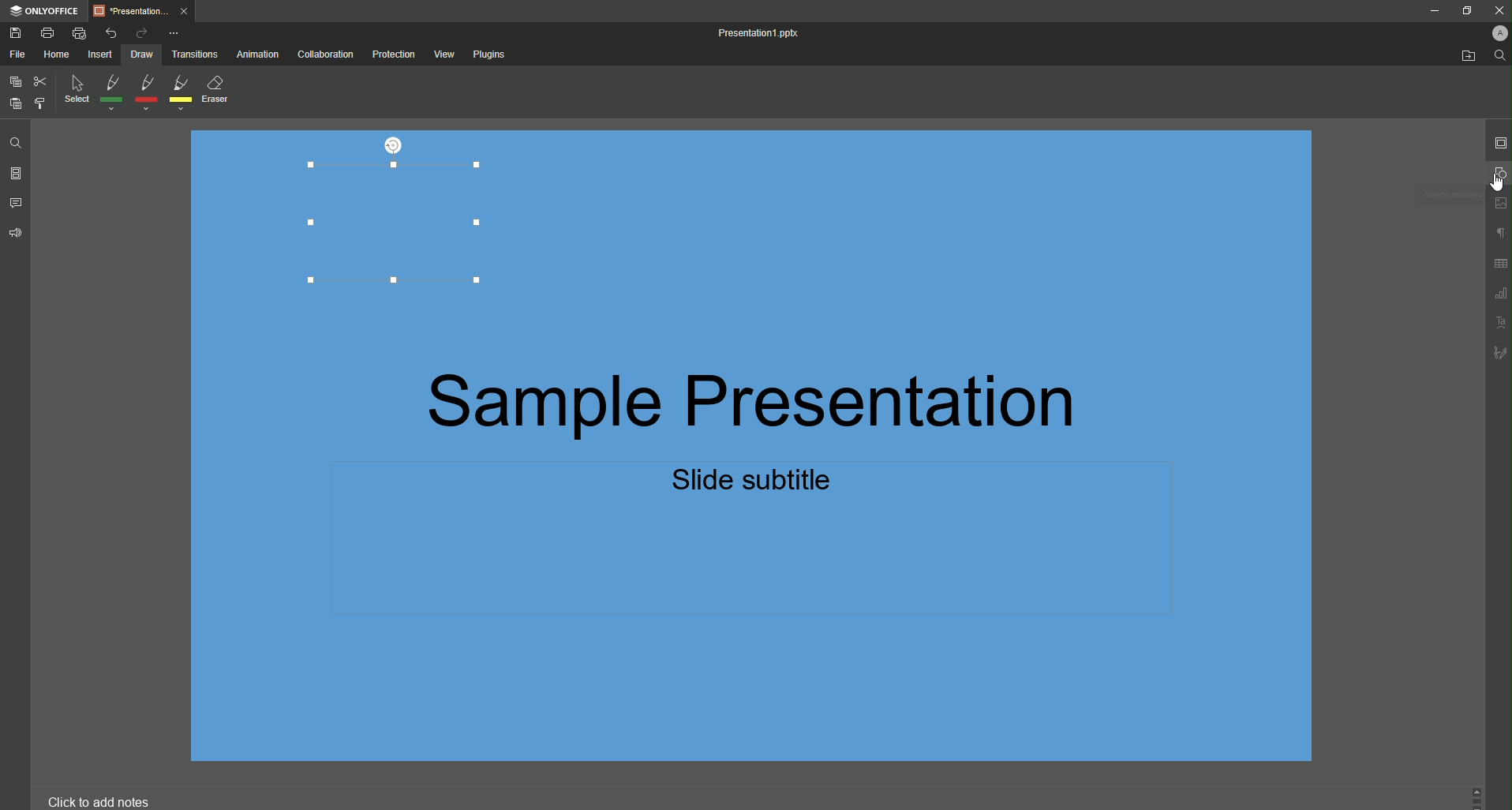  I want to click on Insert, so click(99, 55).